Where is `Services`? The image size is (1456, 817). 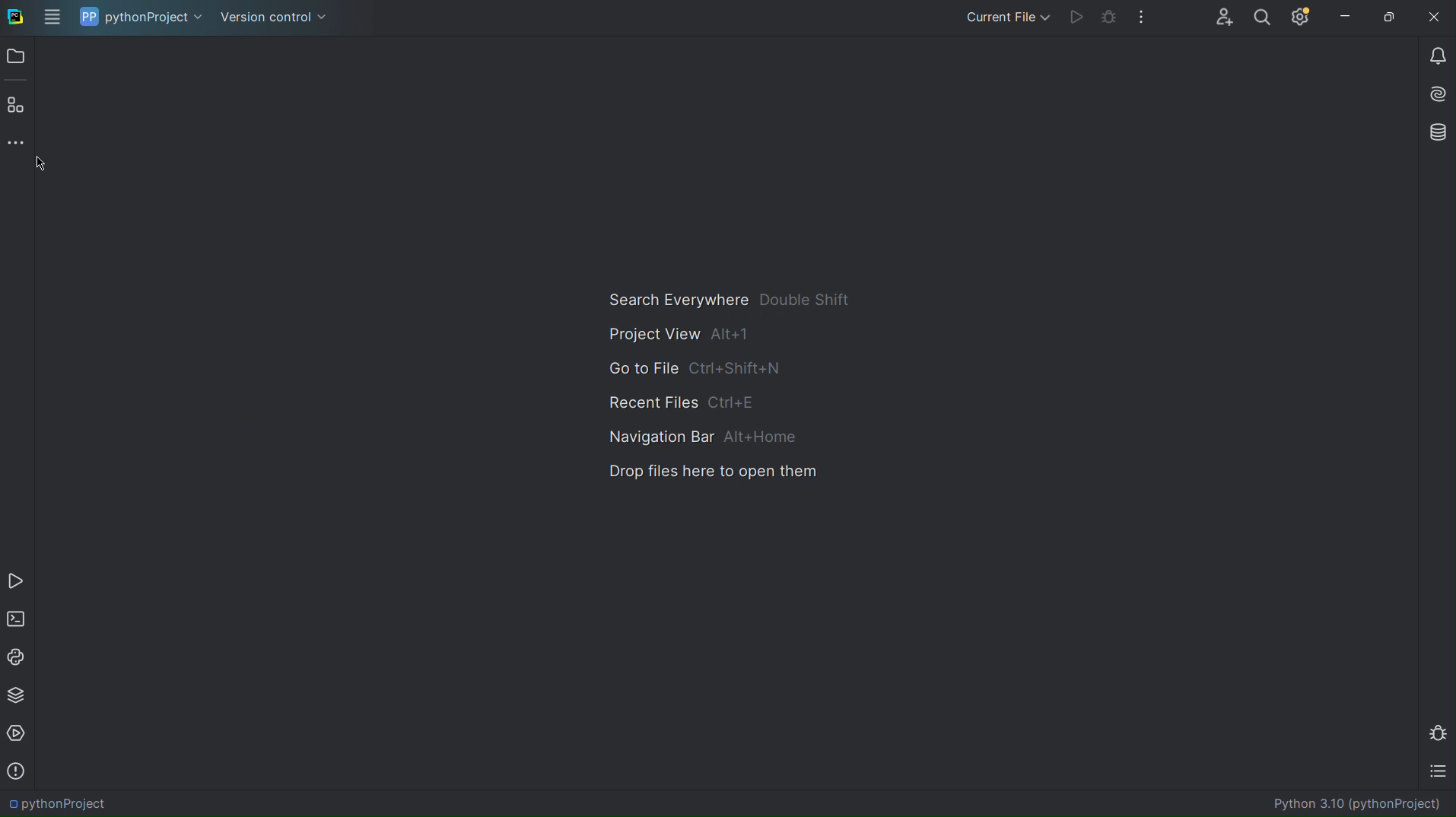 Services is located at coordinates (18, 733).